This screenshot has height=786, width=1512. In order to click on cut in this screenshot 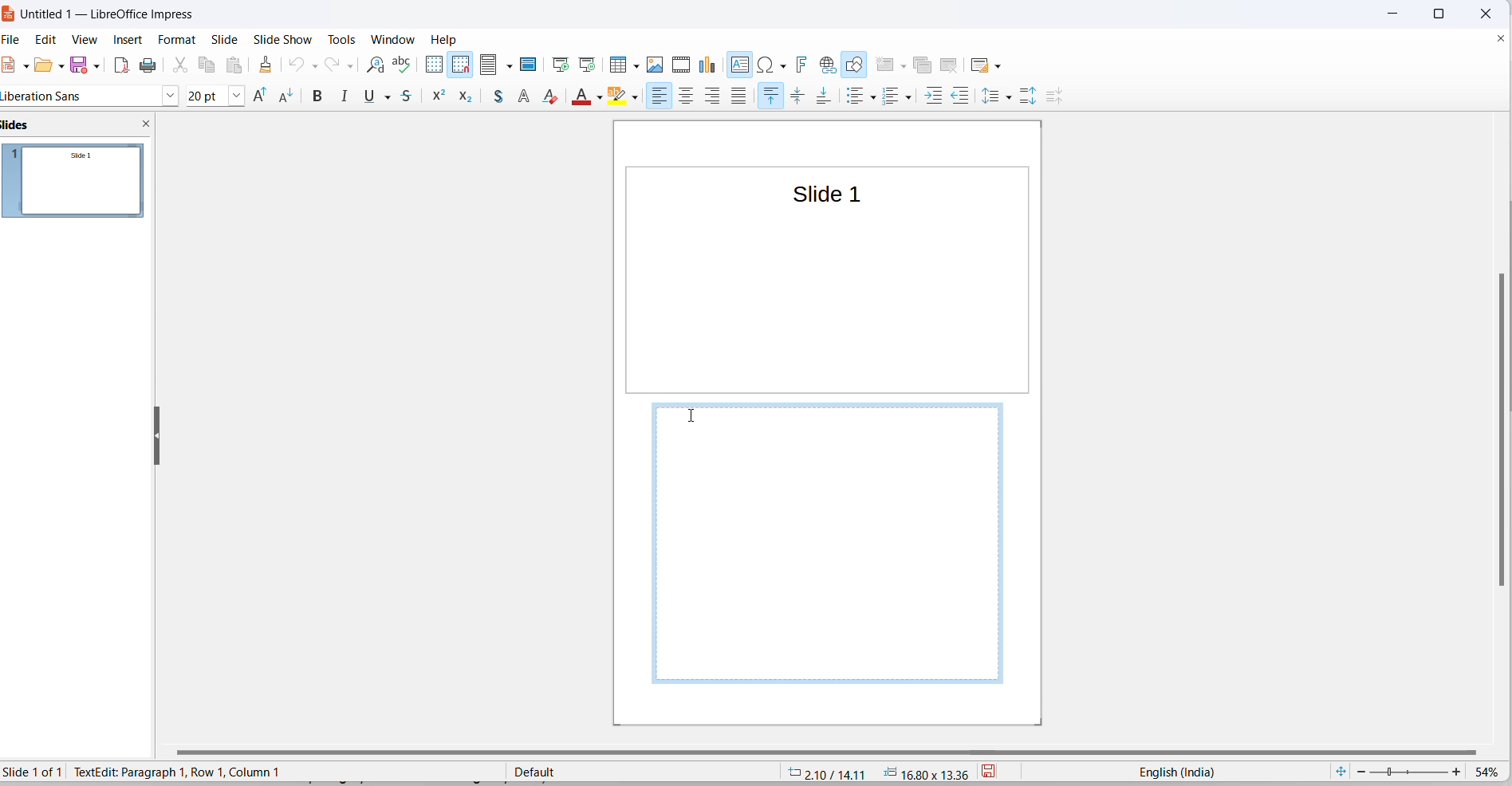, I will do `click(180, 65)`.